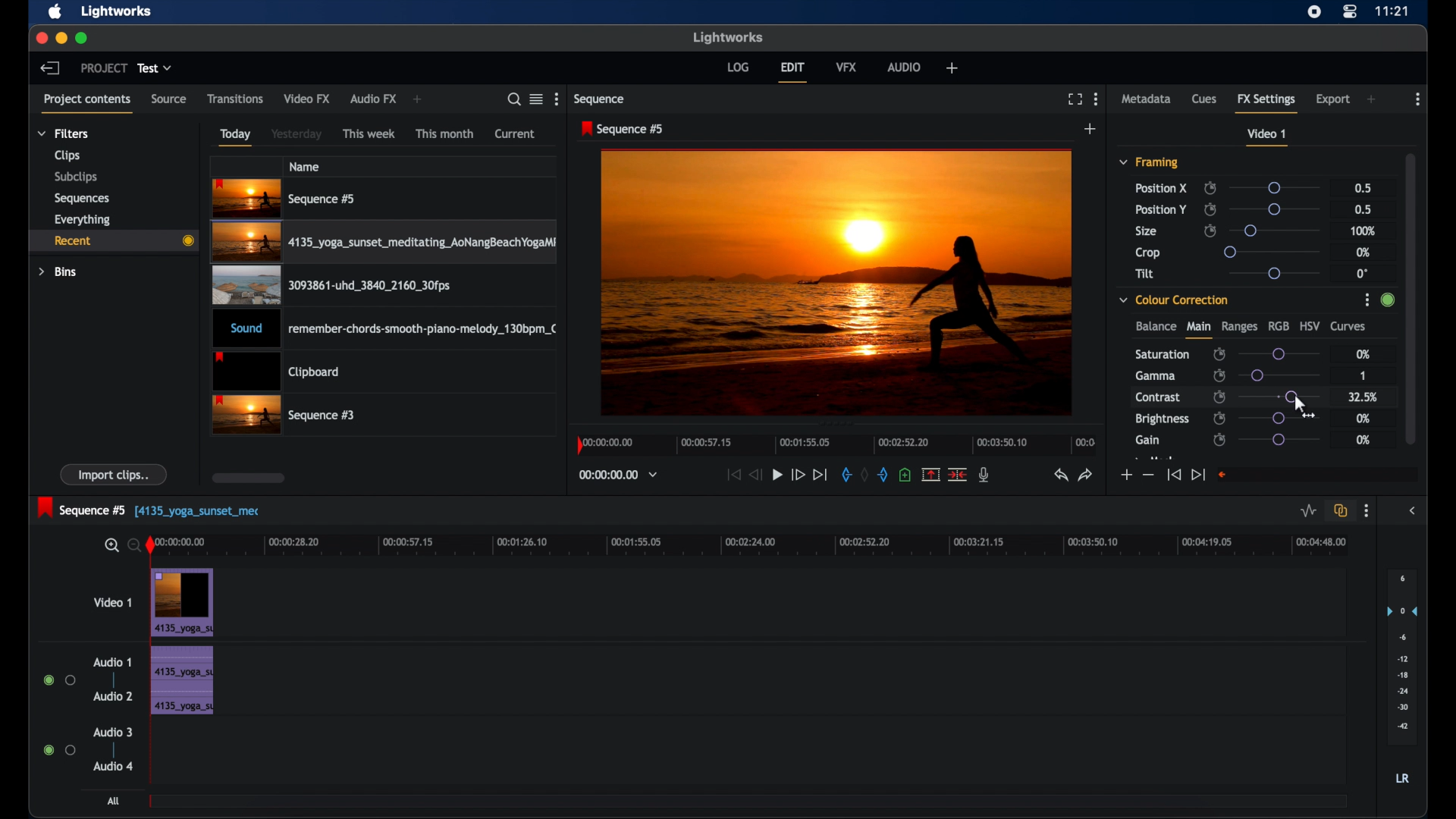 Image resolution: width=1456 pixels, height=819 pixels. What do you see at coordinates (1309, 511) in the screenshot?
I see `toggle audio levels editing` at bounding box center [1309, 511].